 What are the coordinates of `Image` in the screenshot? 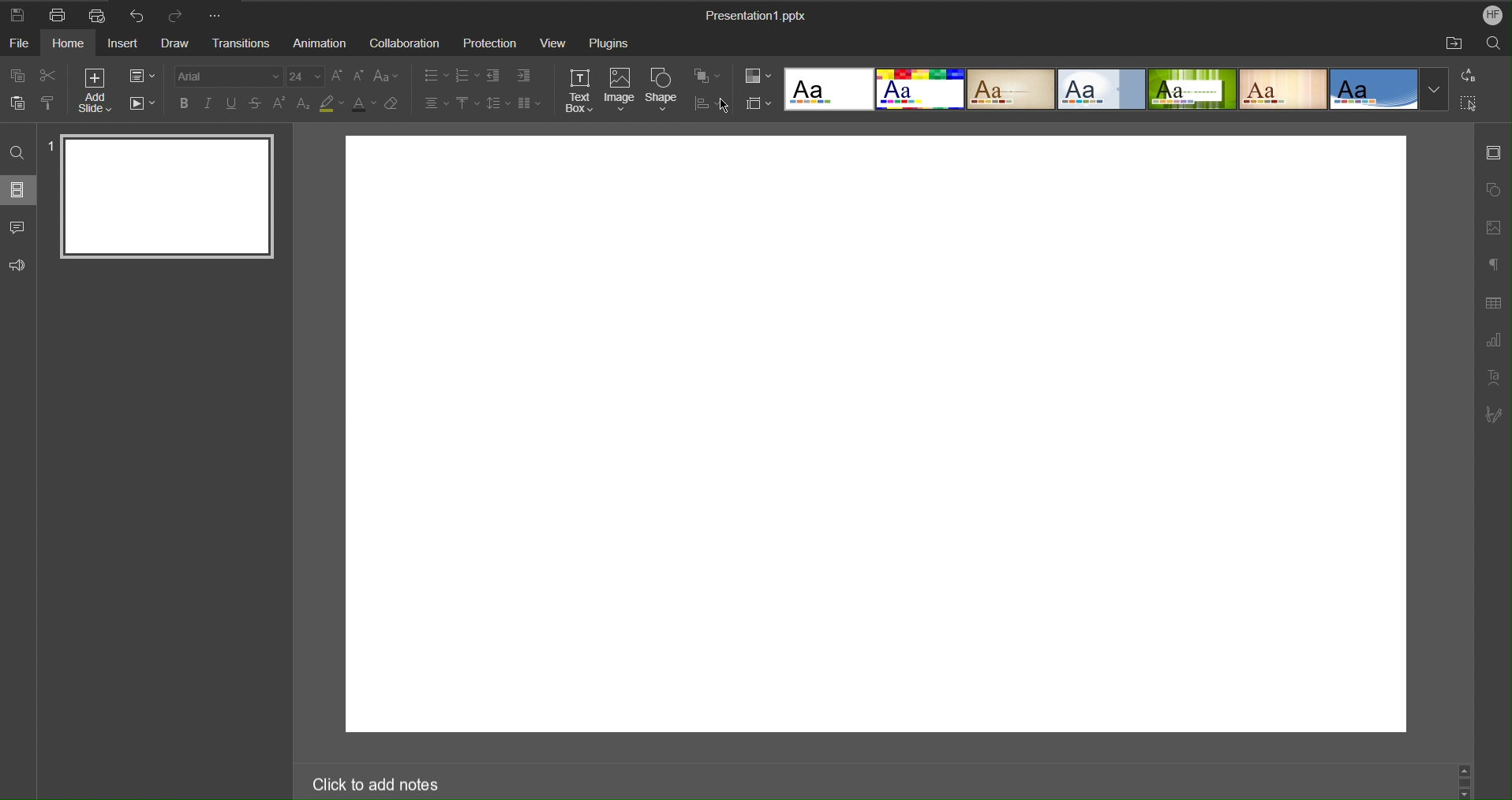 It's located at (620, 91).